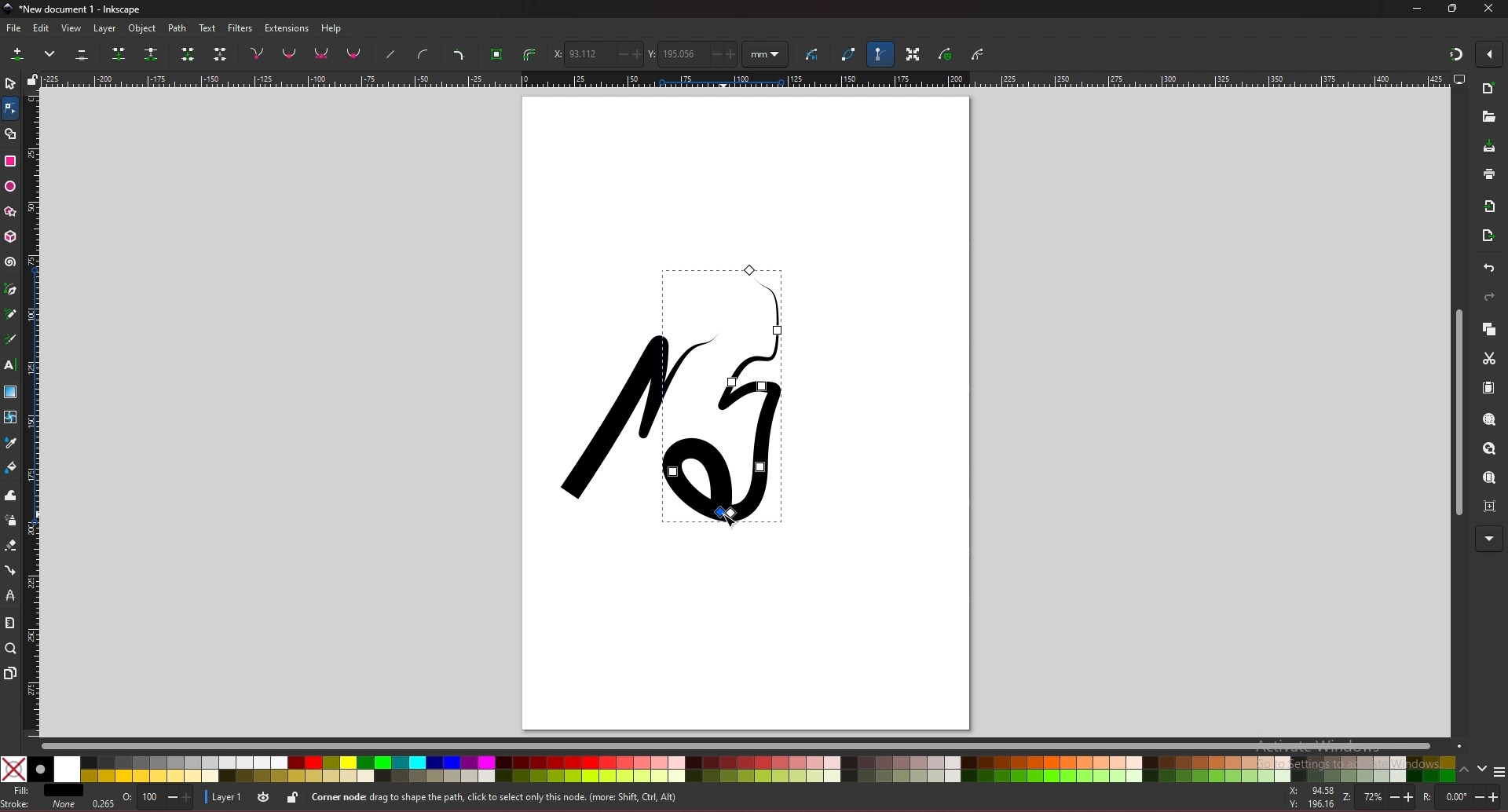  What do you see at coordinates (82, 53) in the screenshot?
I see `delete selected node` at bounding box center [82, 53].